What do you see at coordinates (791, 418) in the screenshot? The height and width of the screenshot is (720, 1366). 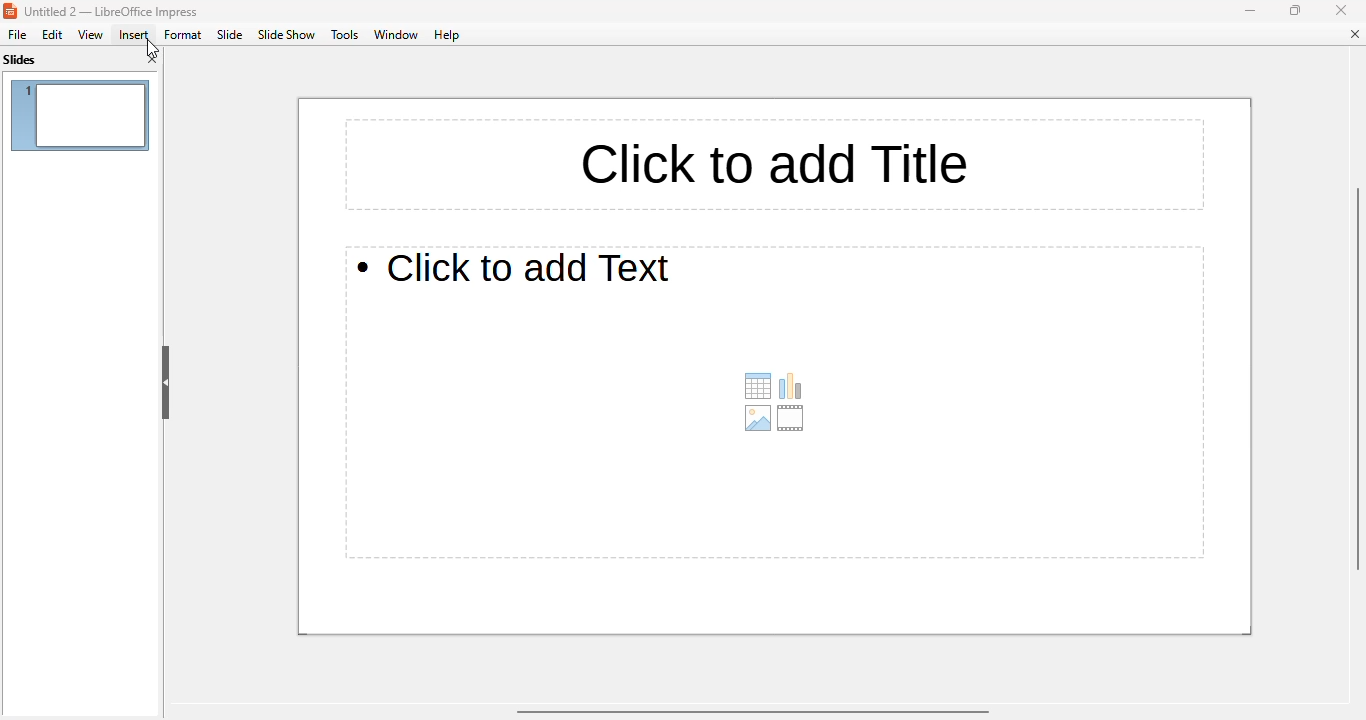 I see `insert audio or video` at bounding box center [791, 418].